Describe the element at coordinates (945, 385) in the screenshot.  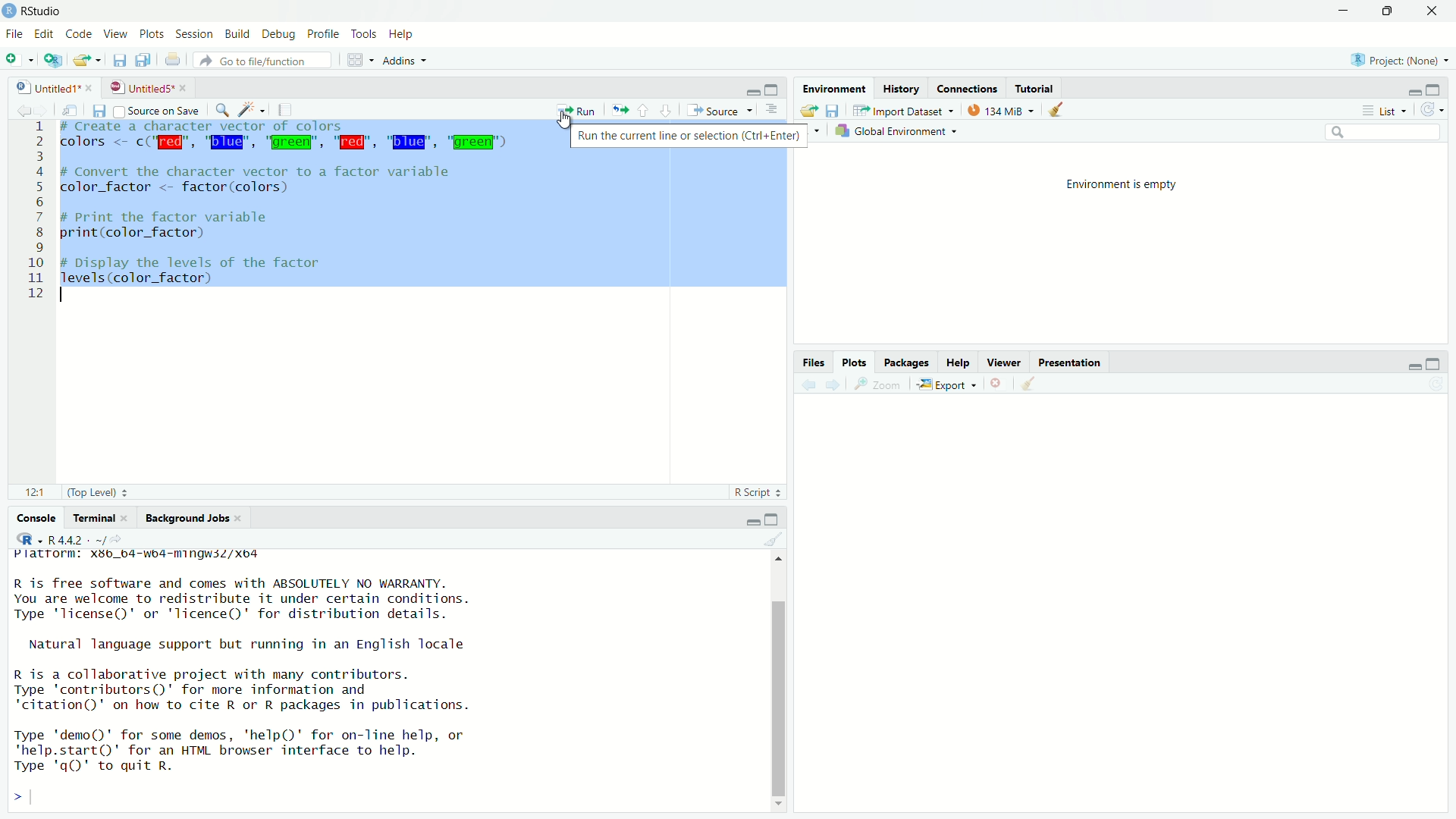
I see `export` at that location.